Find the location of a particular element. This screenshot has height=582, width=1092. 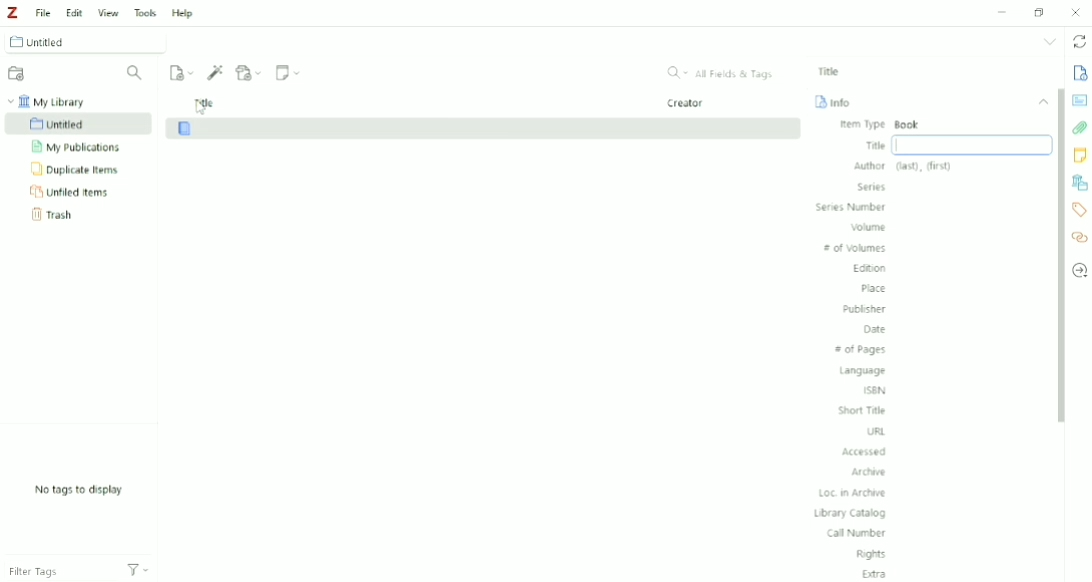

Add Attachment is located at coordinates (250, 71).